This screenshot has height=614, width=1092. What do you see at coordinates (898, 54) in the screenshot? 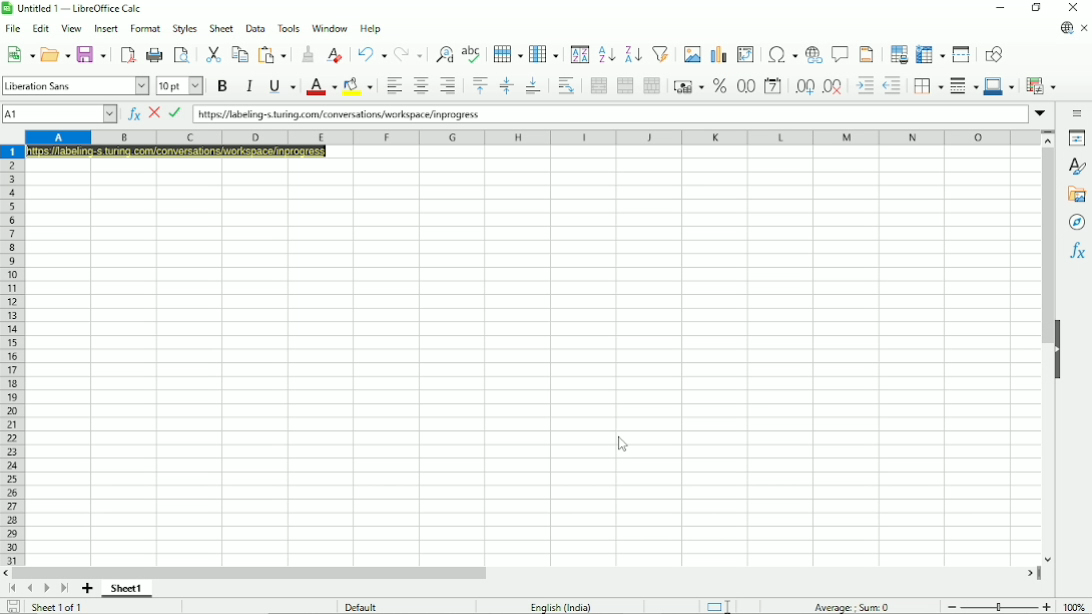
I see `Define print area` at bounding box center [898, 54].